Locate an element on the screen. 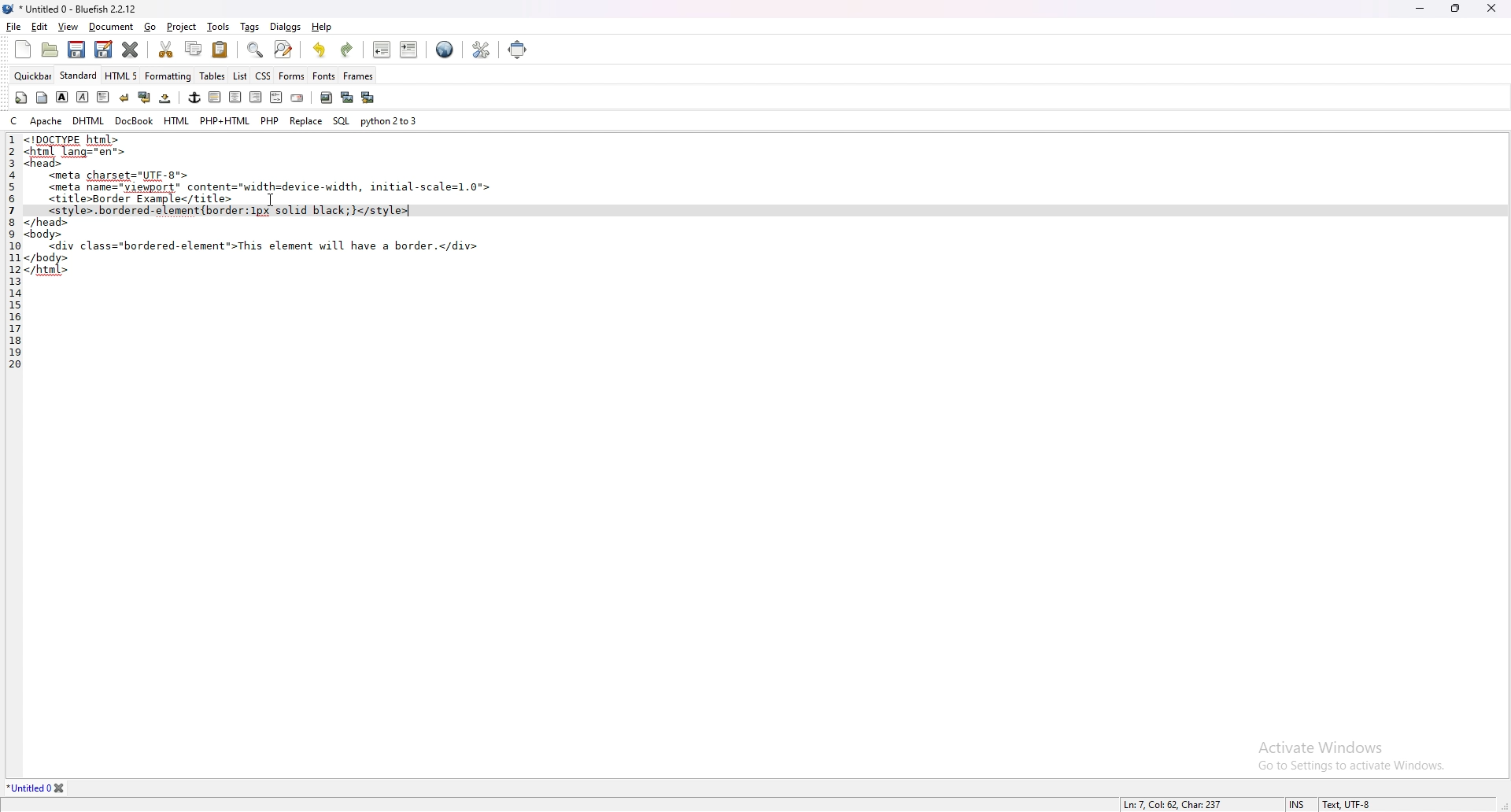 This screenshot has width=1511, height=812. bold is located at coordinates (61, 98).